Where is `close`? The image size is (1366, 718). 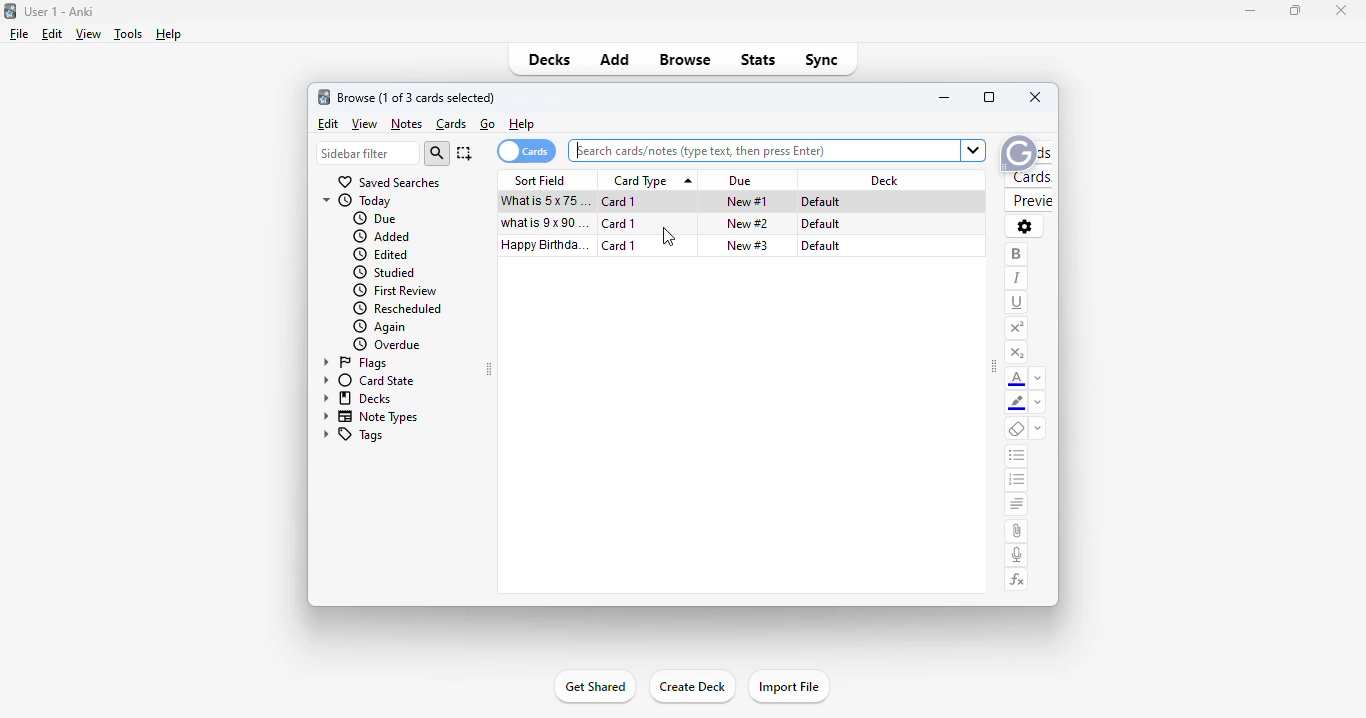
close is located at coordinates (1035, 97).